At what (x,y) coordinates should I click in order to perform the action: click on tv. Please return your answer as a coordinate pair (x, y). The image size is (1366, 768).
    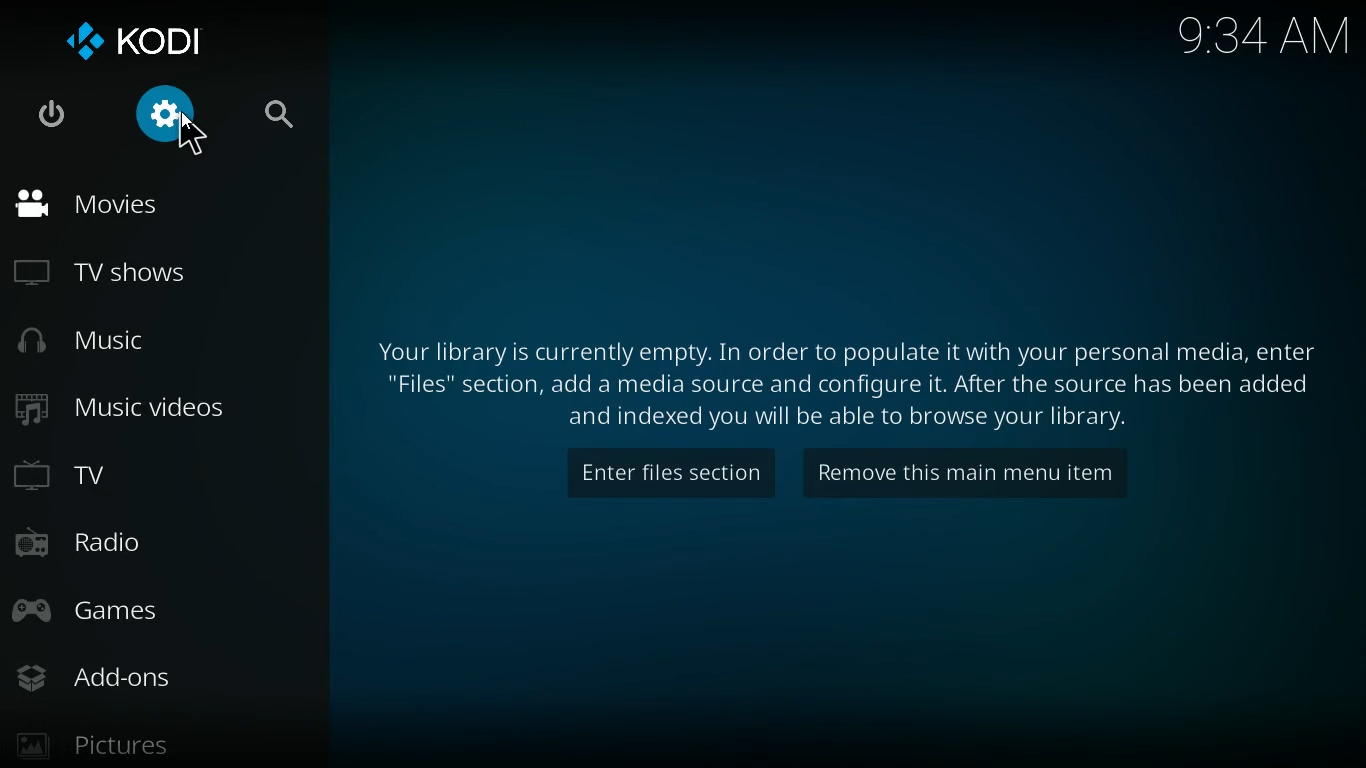
    Looking at the image, I should click on (136, 470).